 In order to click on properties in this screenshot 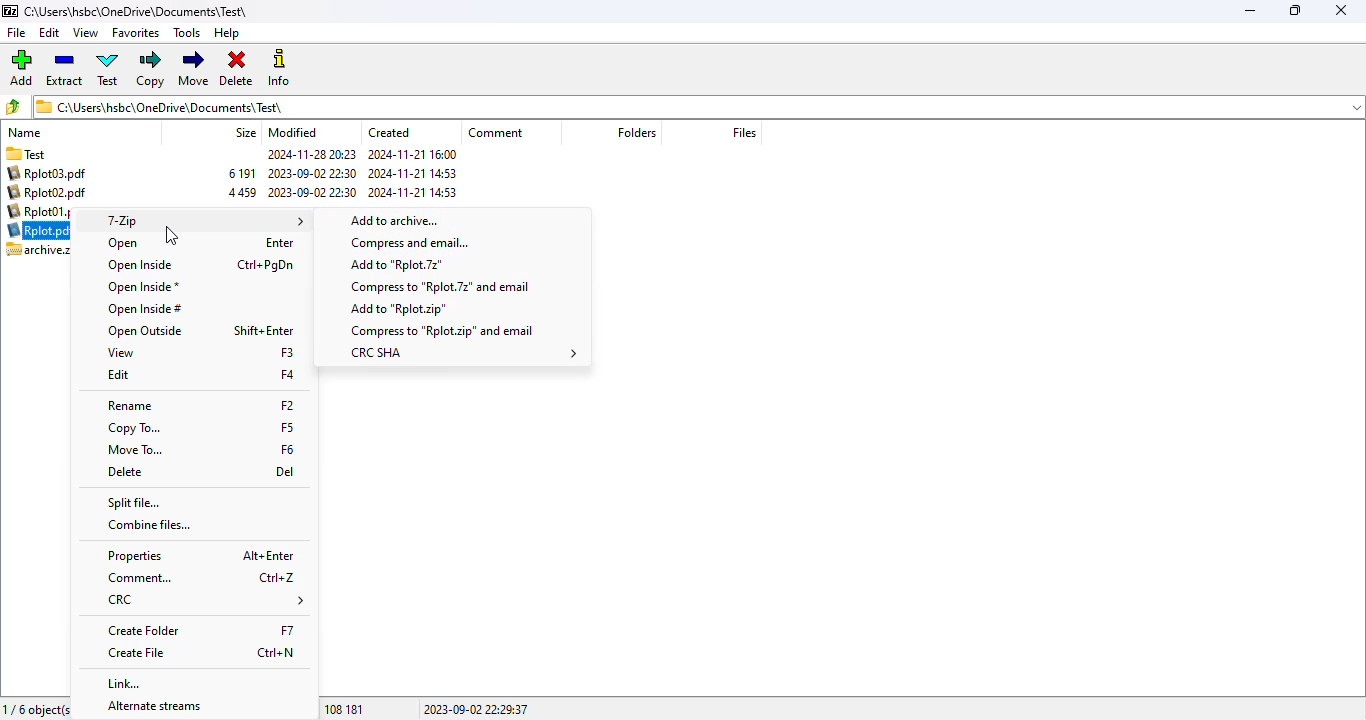, I will do `click(135, 556)`.